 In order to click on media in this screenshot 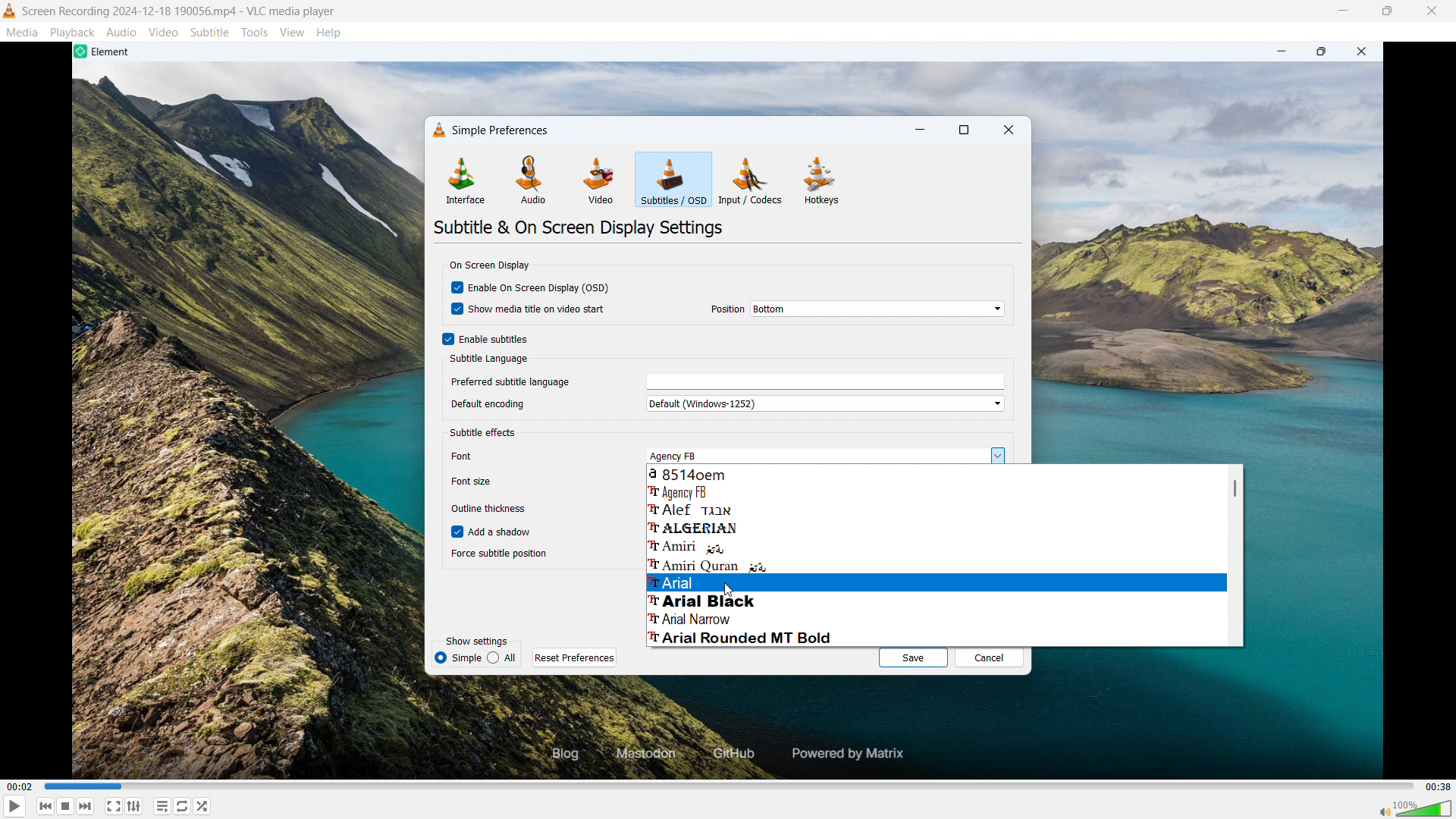, I will do `click(23, 32)`.